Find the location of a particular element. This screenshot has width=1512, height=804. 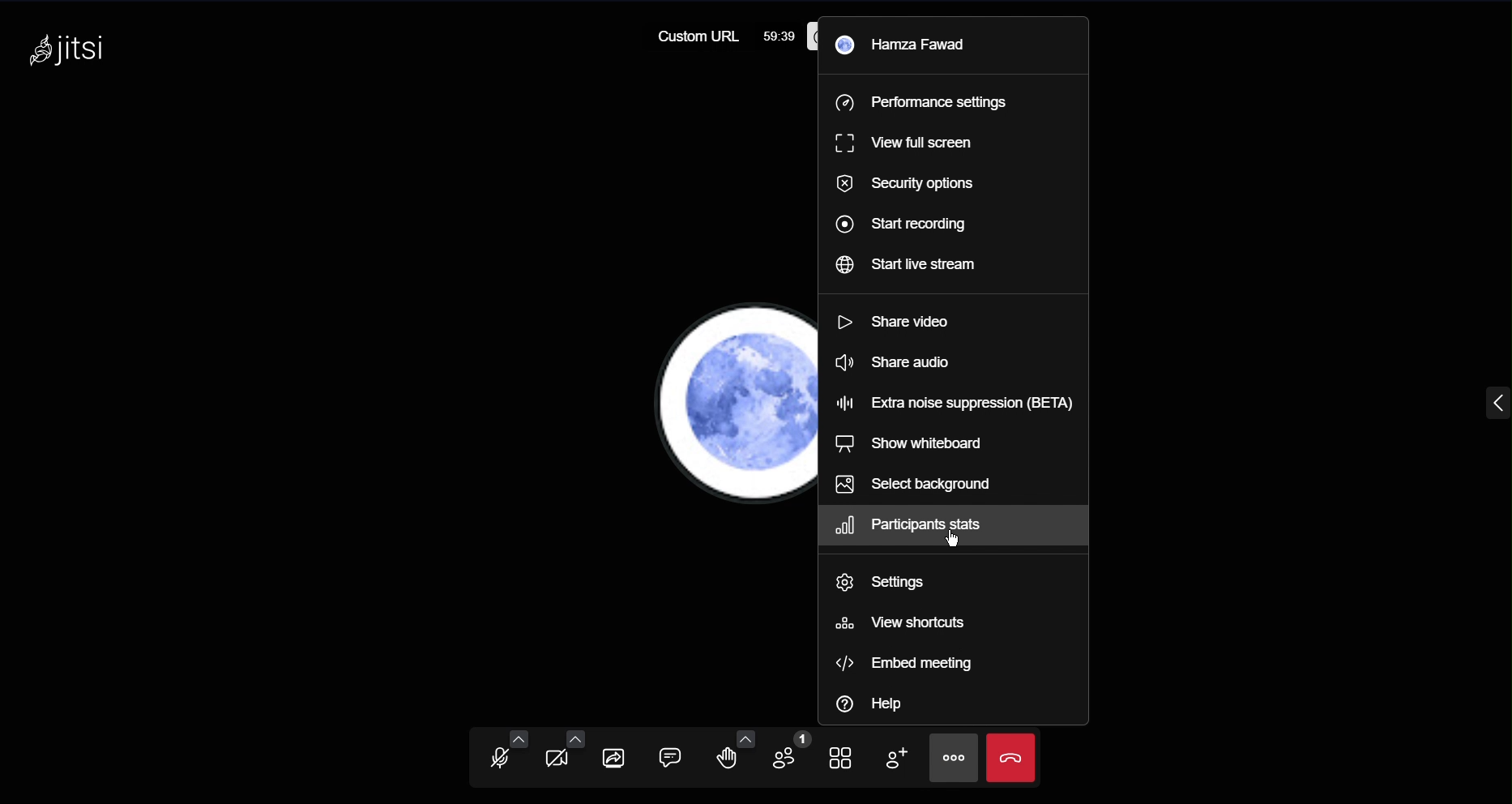

Hamza Fawad is located at coordinates (908, 44).